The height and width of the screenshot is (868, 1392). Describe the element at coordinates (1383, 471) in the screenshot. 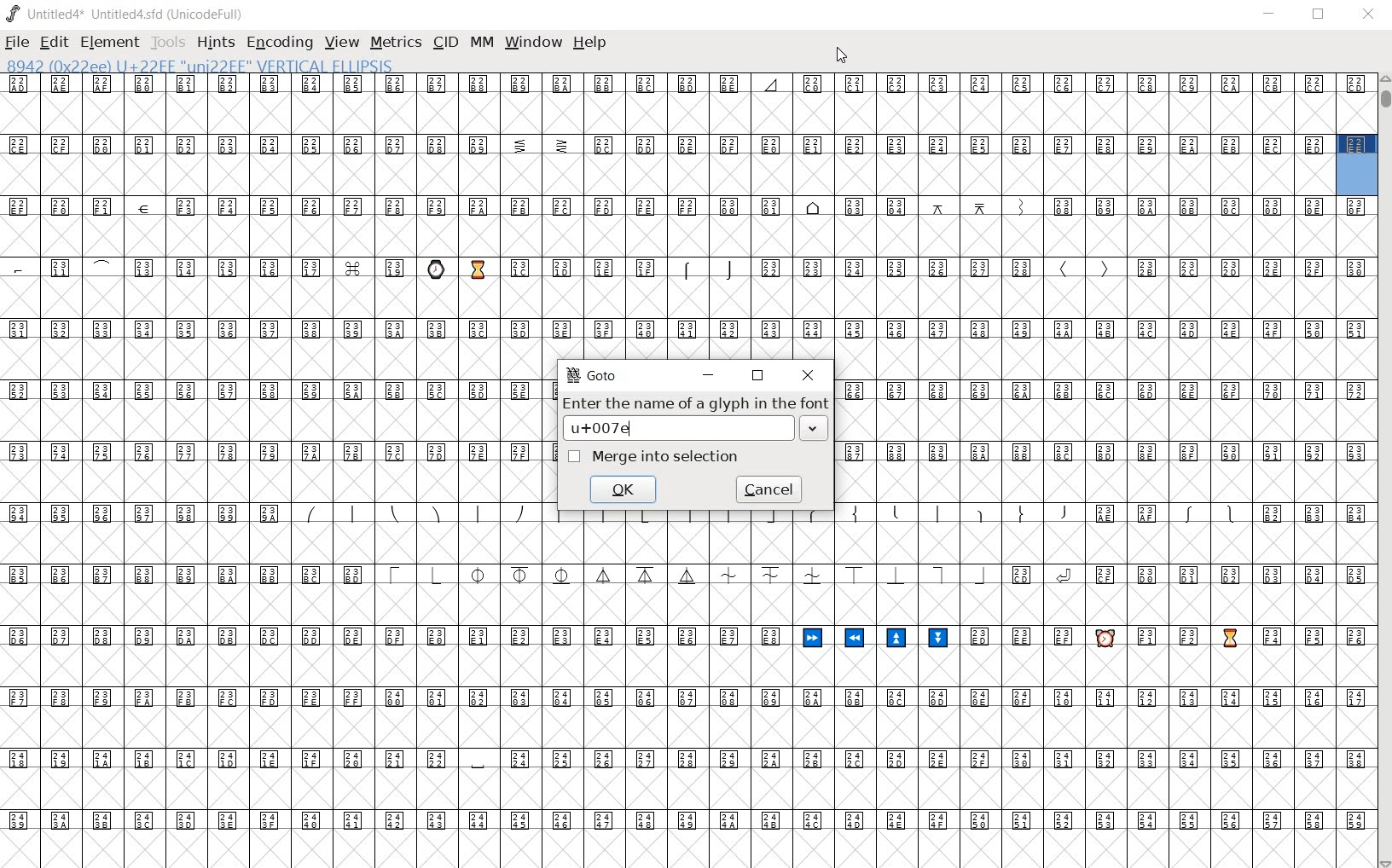

I see `SCROLLBAR` at that location.